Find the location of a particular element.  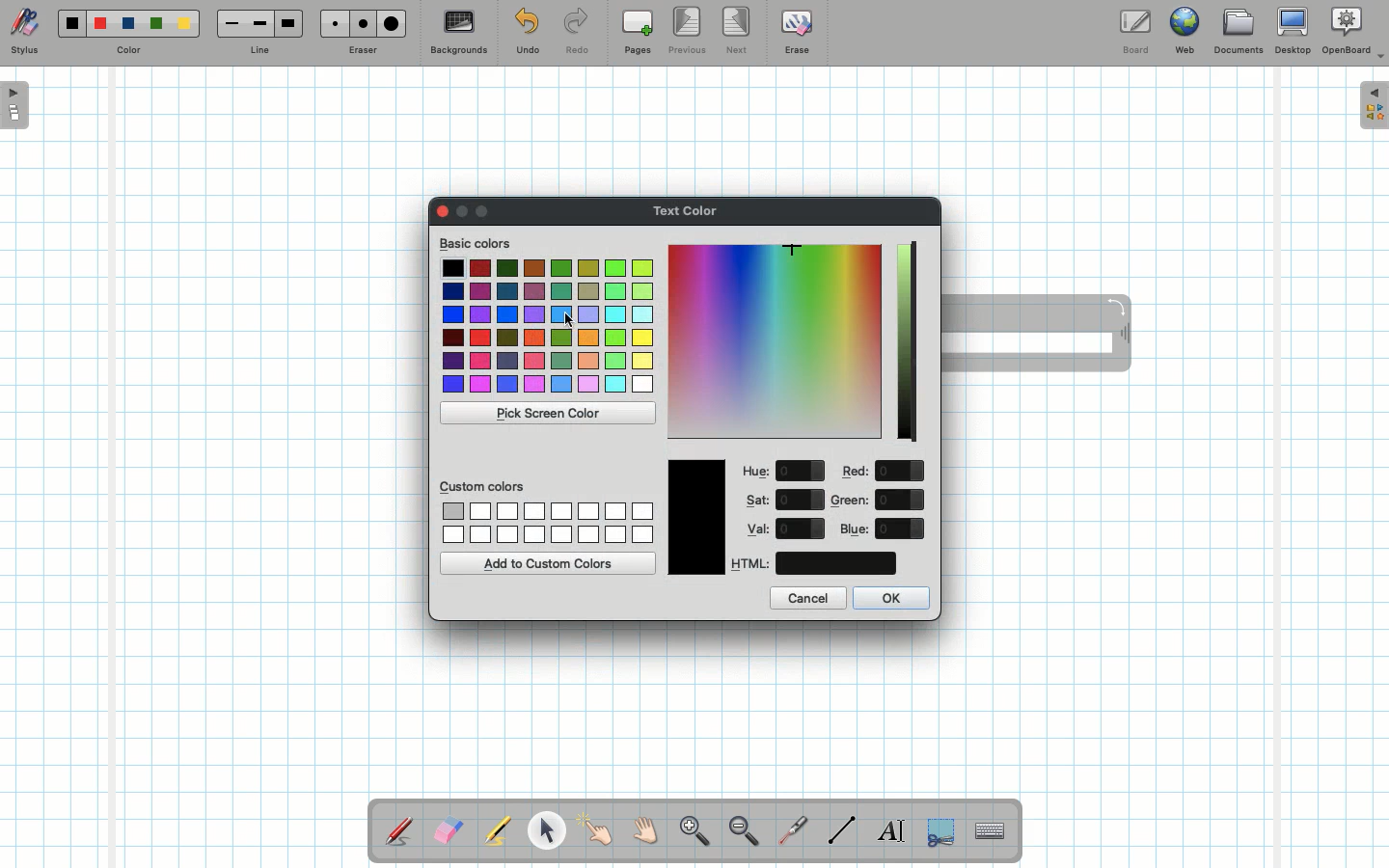

Stylus is located at coordinates (24, 32).